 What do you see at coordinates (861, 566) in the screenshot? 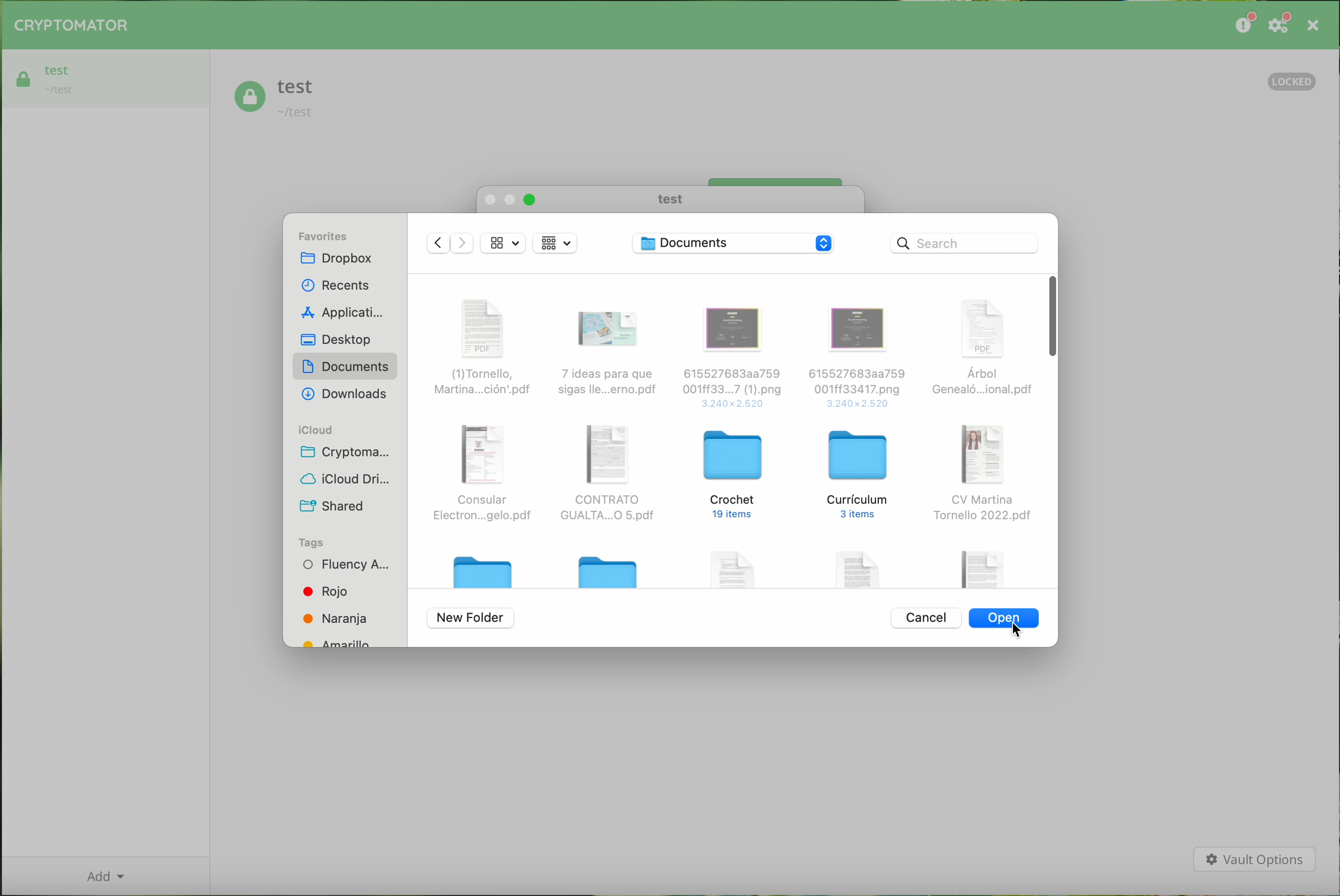
I see `file` at bounding box center [861, 566].